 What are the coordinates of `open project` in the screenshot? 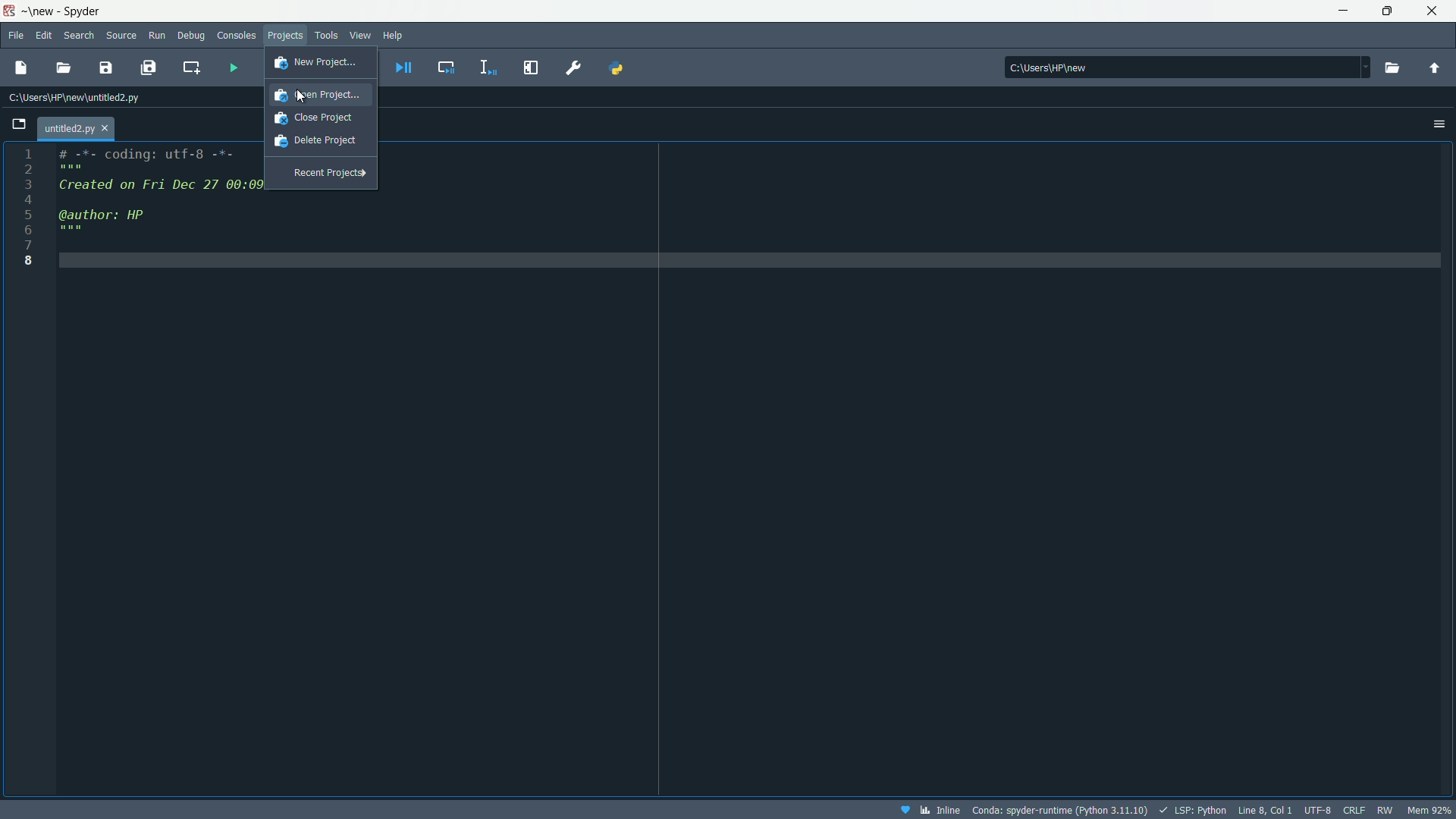 It's located at (320, 96).